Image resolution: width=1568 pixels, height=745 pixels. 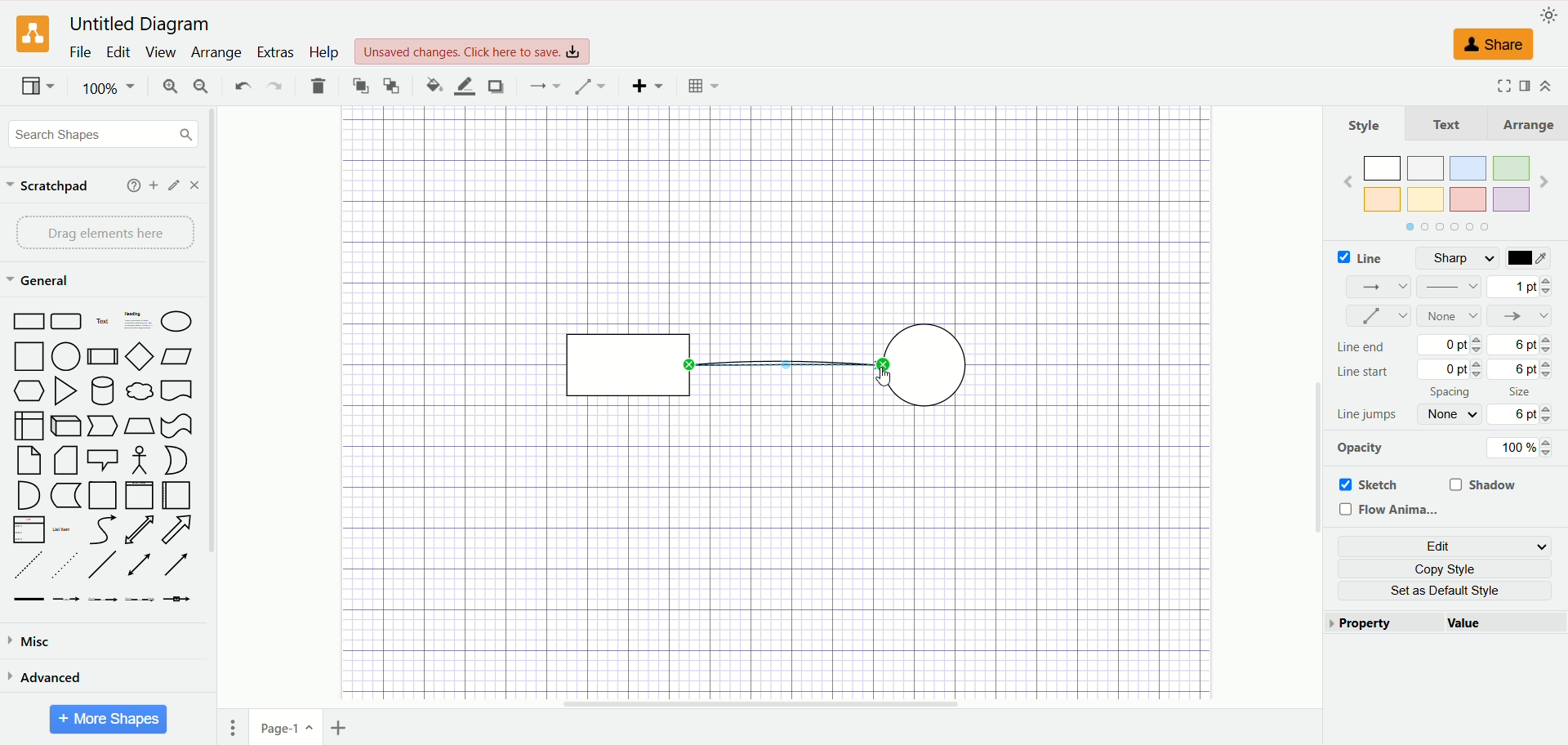 What do you see at coordinates (1397, 512) in the screenshot?
I see `flow animation` at bounding box center [1397, 512].